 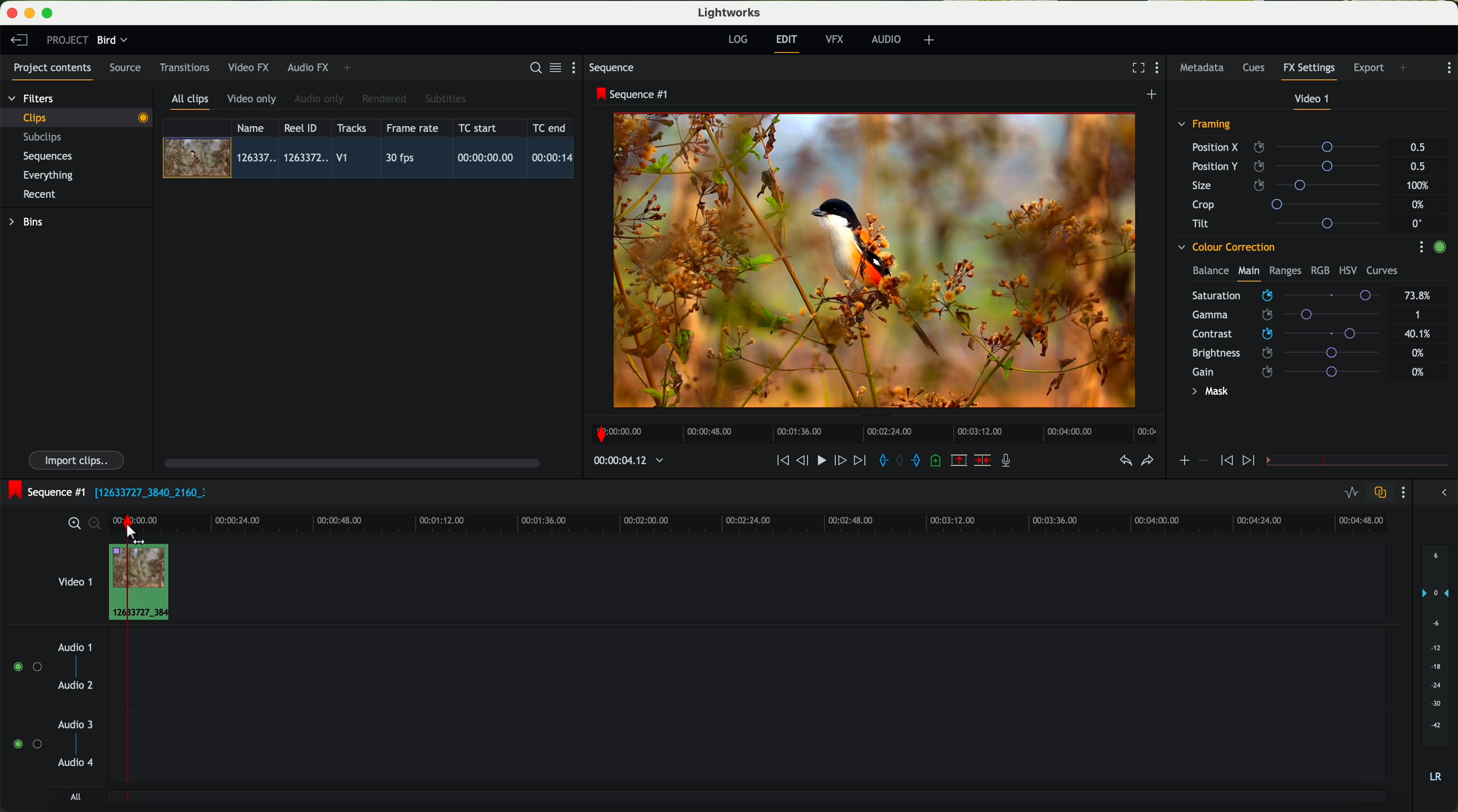 I want to click on video 1, so click(x=1313, y=101).